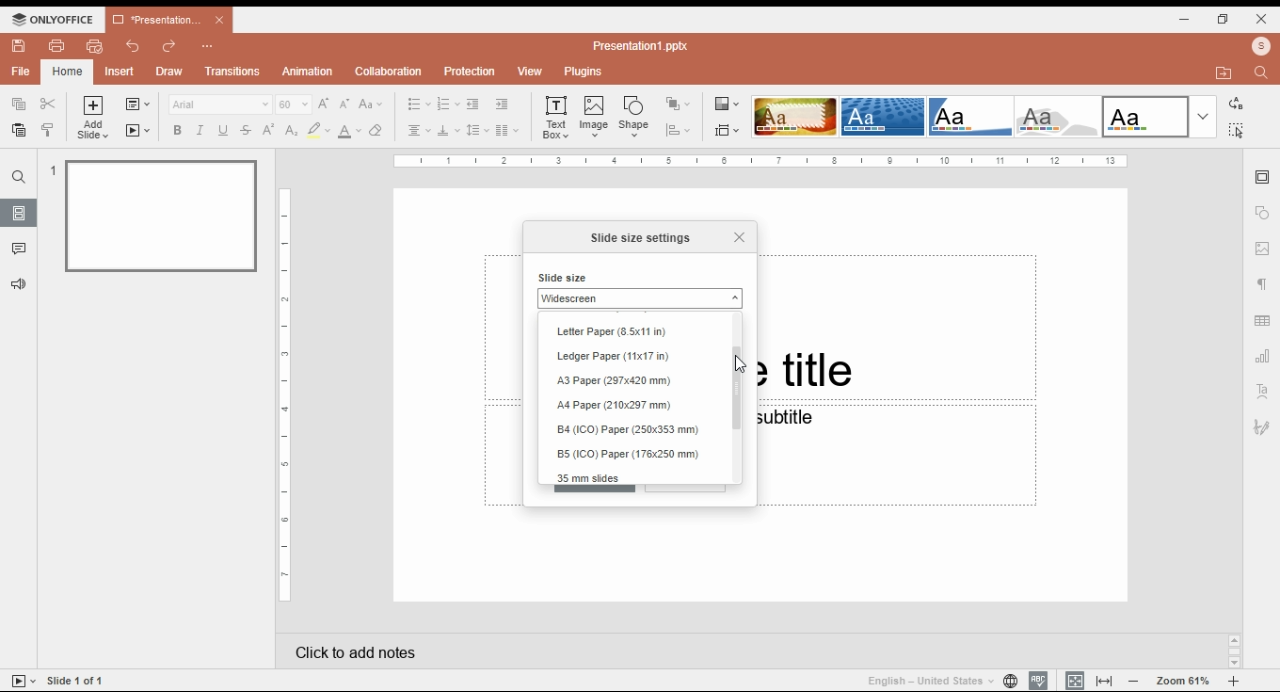 The height and width of the screenshot is (692, 1280). I want to click on chart settings, so click(1264, 356).